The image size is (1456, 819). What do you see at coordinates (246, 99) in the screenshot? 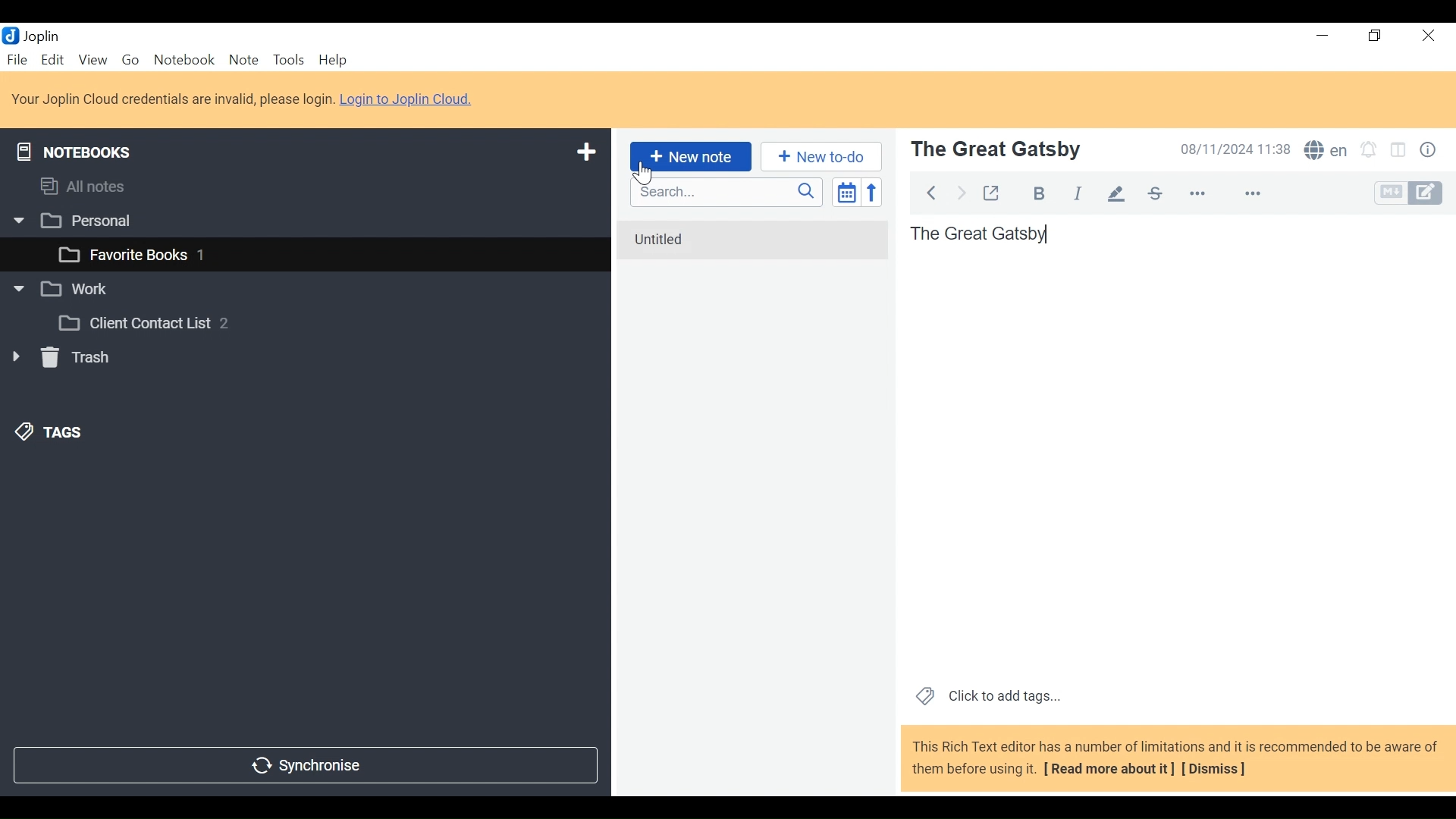
I see `Your Joplin Cloud credentials are invalid, please login. Login to Joplin Cloud.` at bounding box center [246, 99].